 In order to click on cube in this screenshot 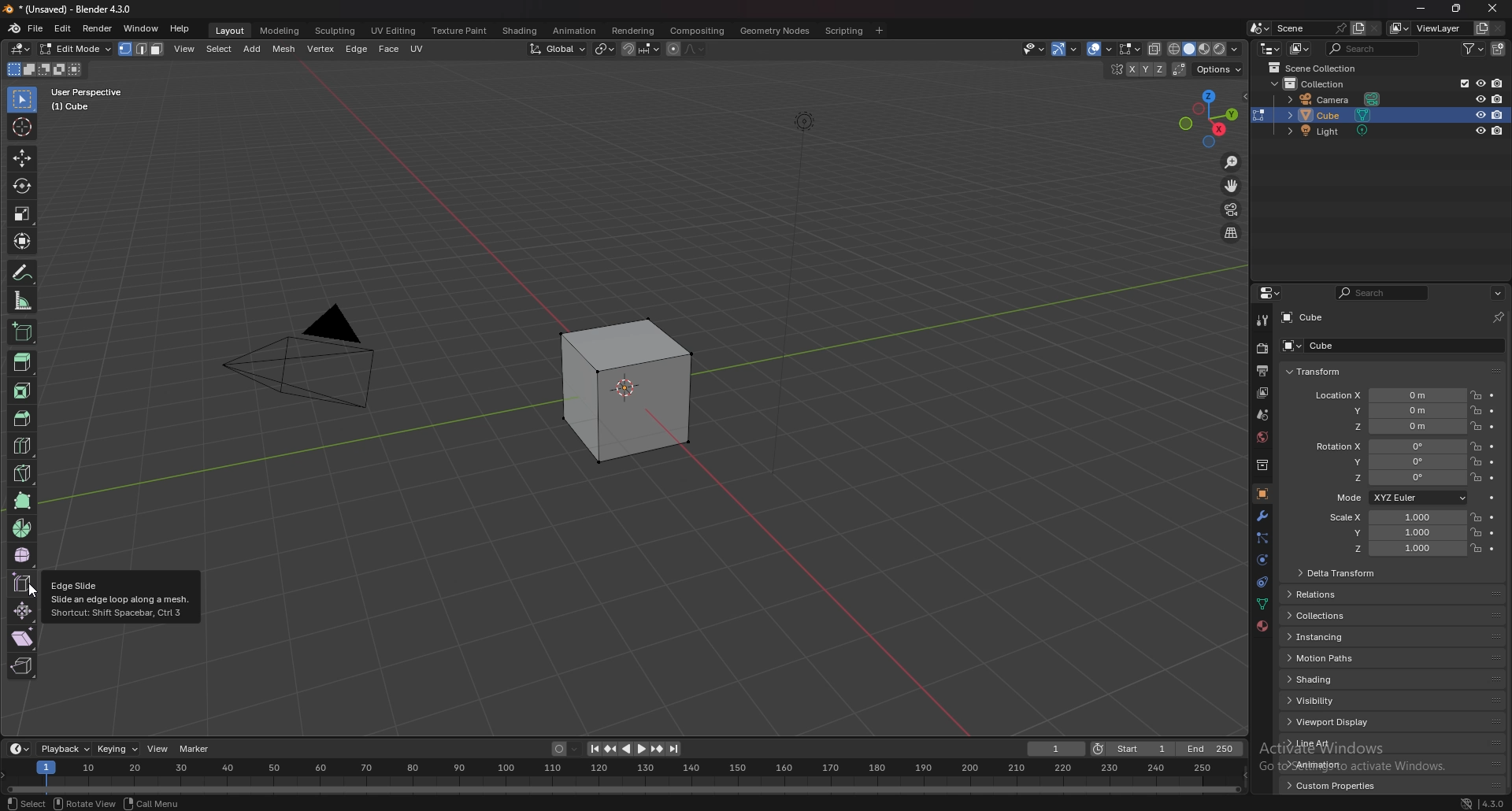, I will do `click(617, 388)`.